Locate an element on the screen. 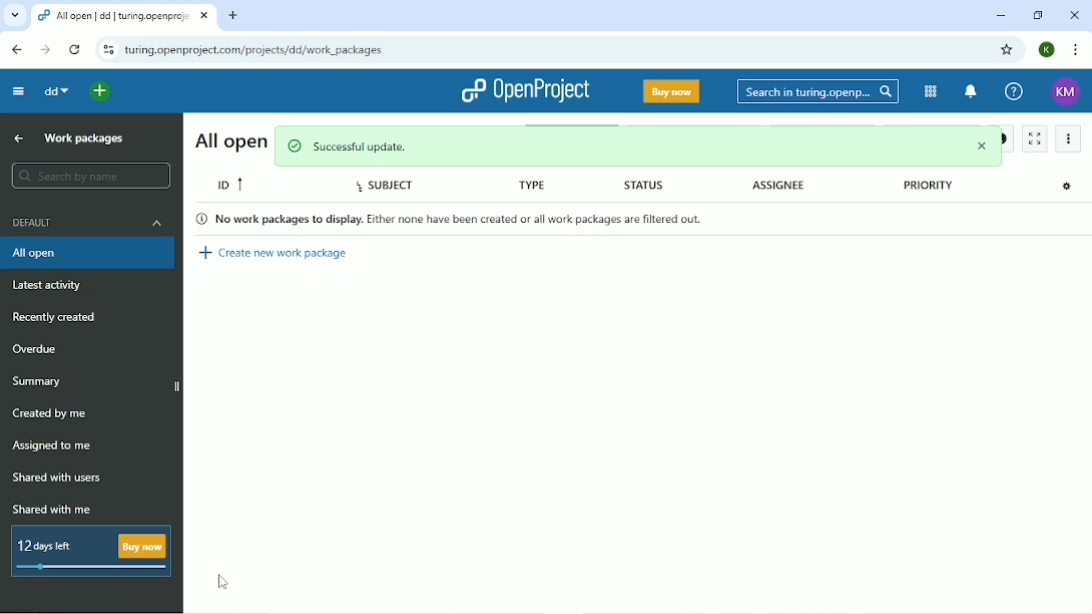  Assignee is located at coordinates (777, 188).